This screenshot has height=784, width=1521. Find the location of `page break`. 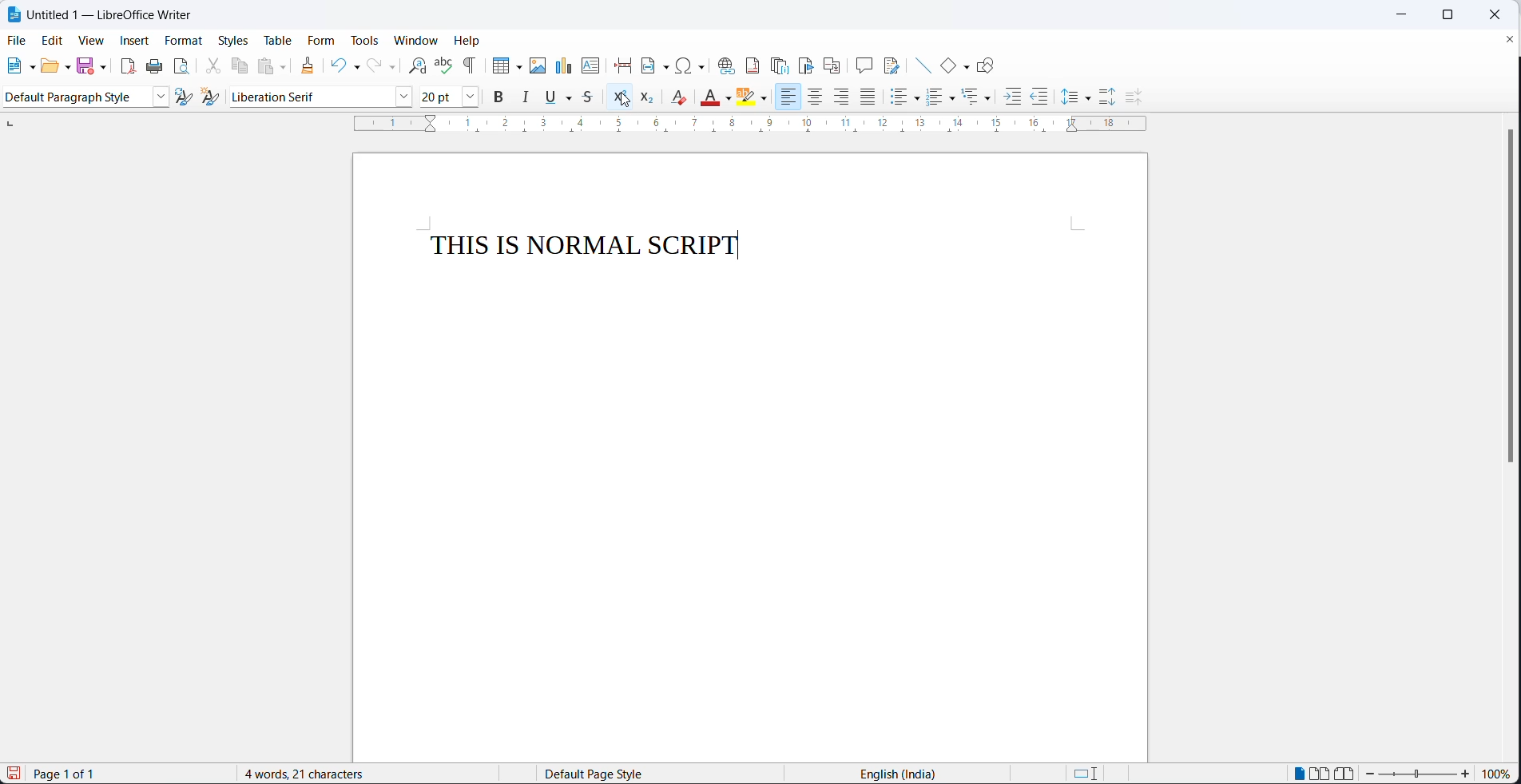

page break is located at coordinates (622, 63).